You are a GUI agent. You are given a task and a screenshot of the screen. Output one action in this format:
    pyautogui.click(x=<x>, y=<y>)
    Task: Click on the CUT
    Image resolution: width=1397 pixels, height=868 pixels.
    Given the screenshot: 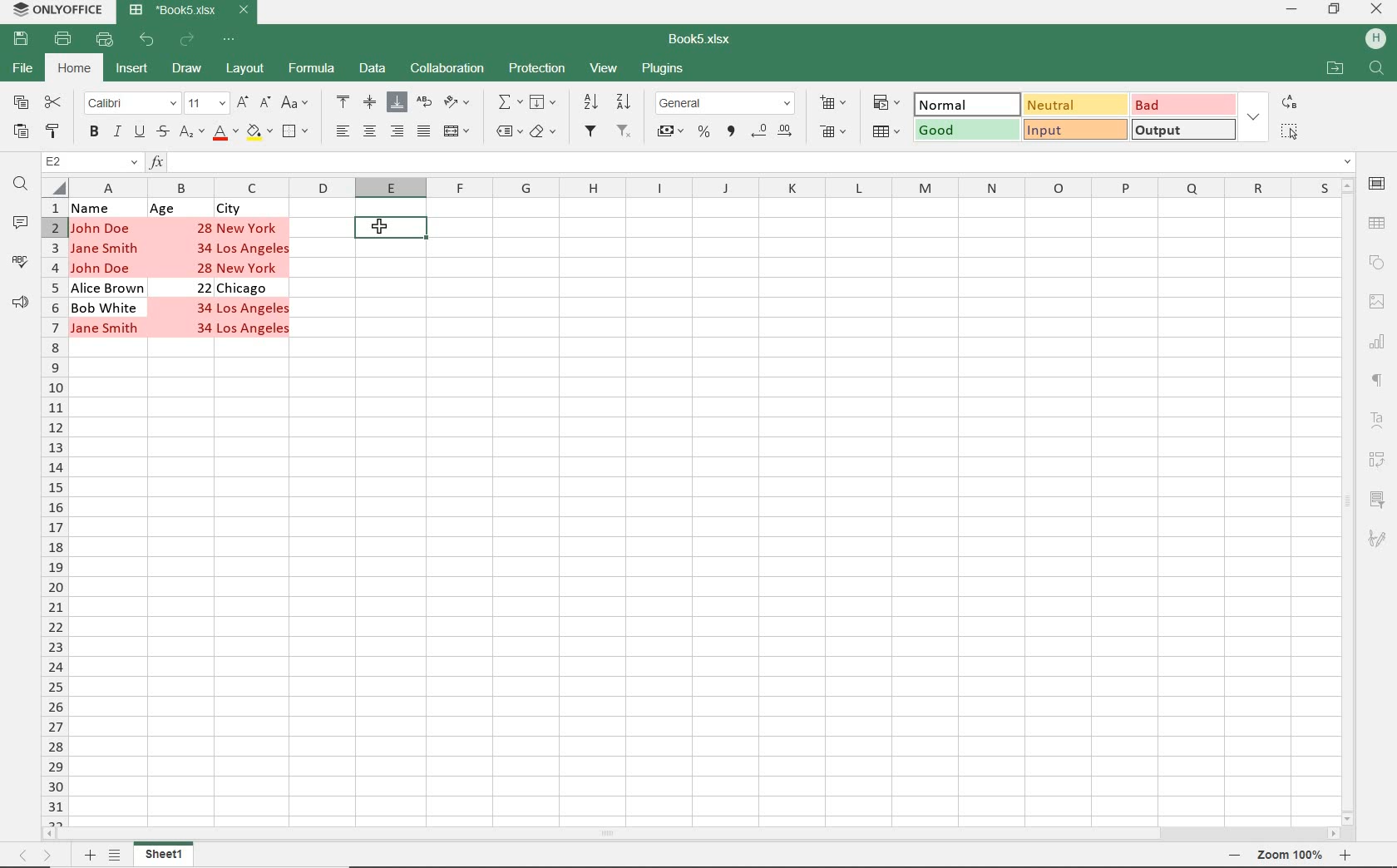 What is the action you would take?
    pyautogui.click(x=52, y=101)
    